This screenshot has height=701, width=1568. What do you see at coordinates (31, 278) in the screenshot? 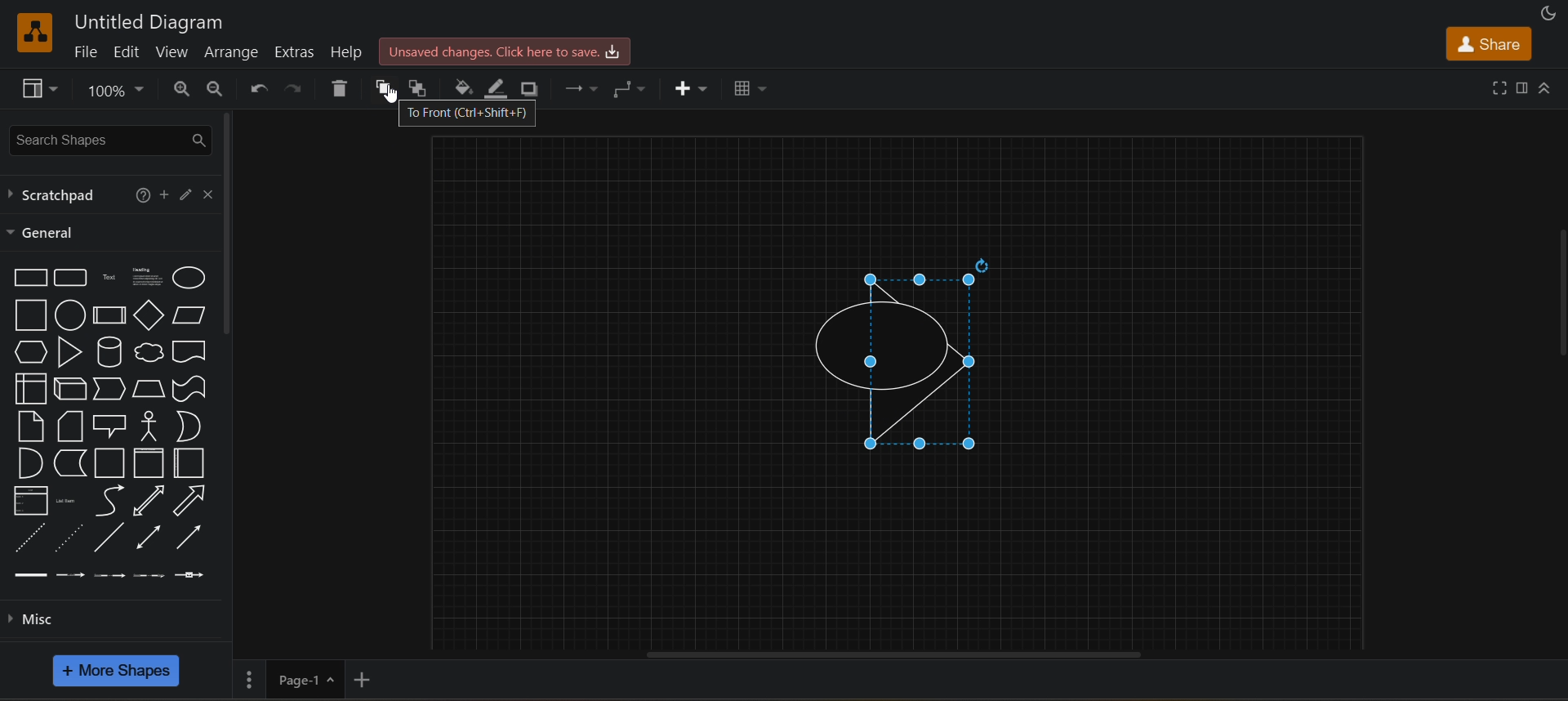
I see `rectangle` at bounding box center [31, 278].